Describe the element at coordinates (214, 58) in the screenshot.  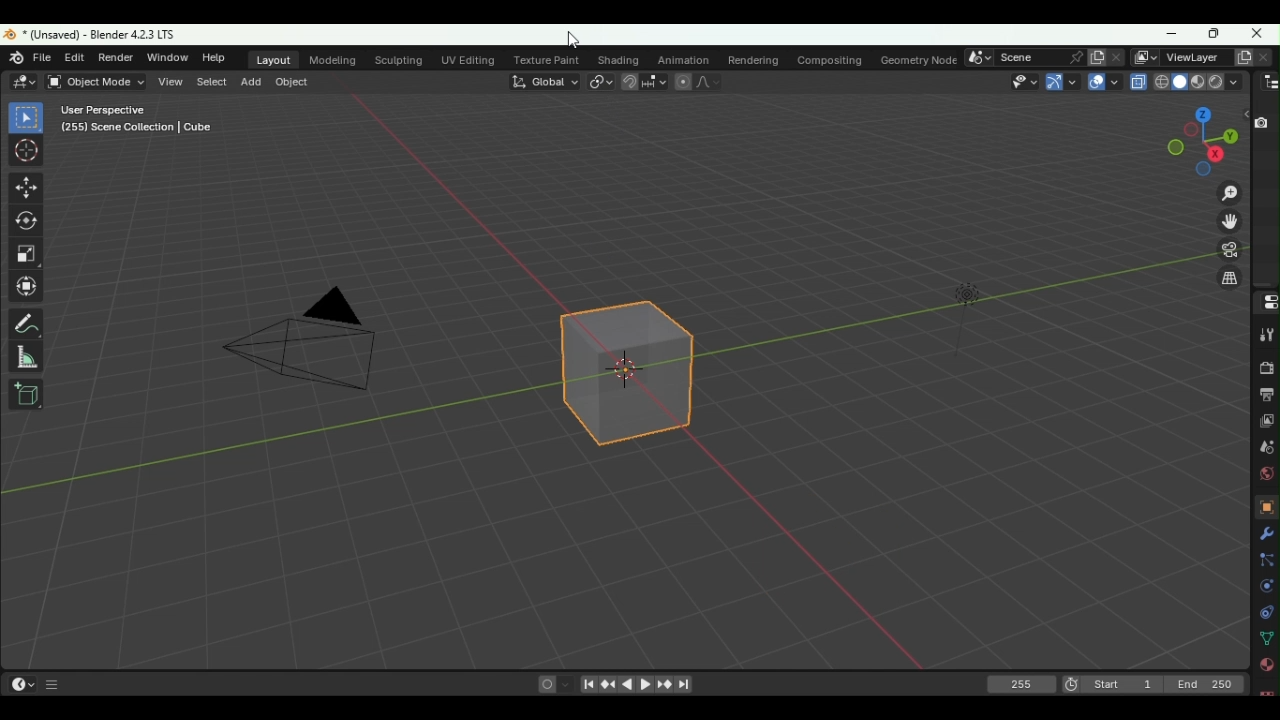
I see `Help` at that location.